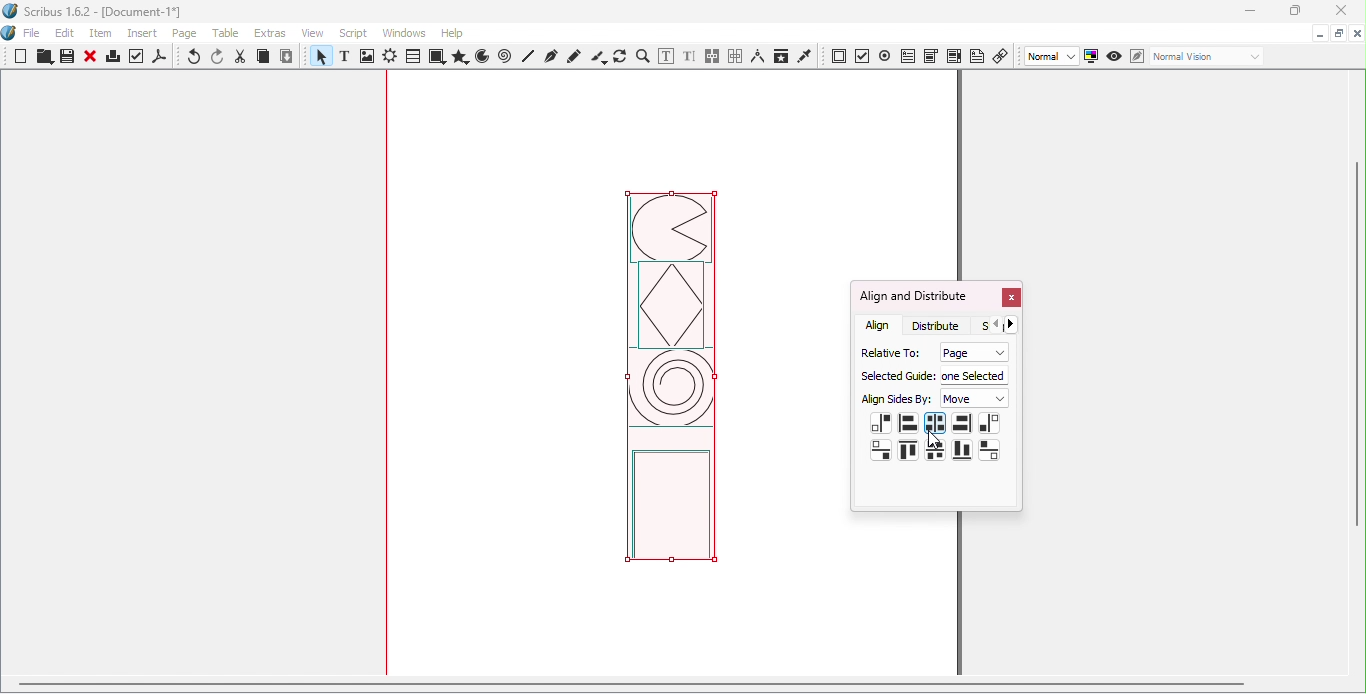 The width and height of the screenshot is (1366, 694). Describe the element at coordinates (1249, 12) in the screenshot. I see `Minimize` at that location.